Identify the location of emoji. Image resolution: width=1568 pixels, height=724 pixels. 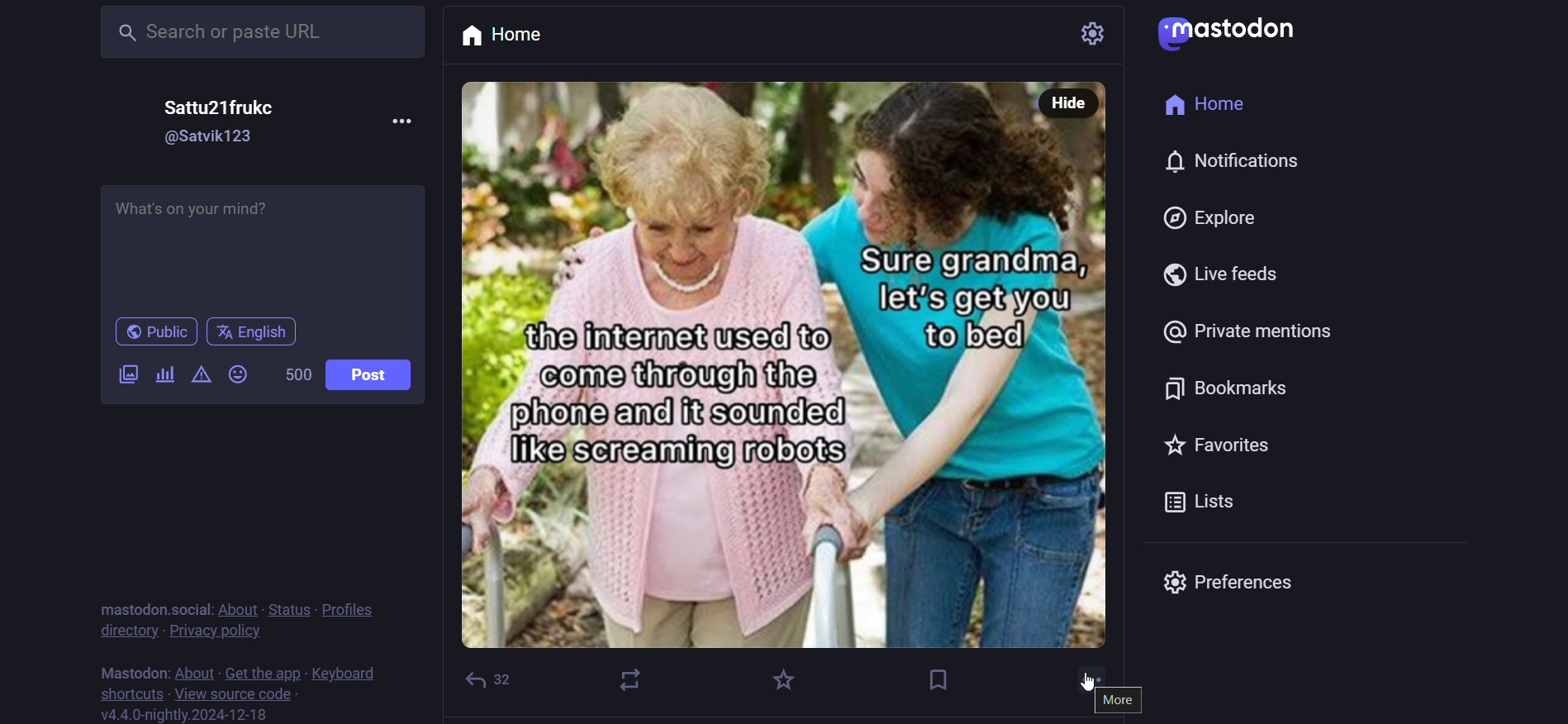
(240, 376).